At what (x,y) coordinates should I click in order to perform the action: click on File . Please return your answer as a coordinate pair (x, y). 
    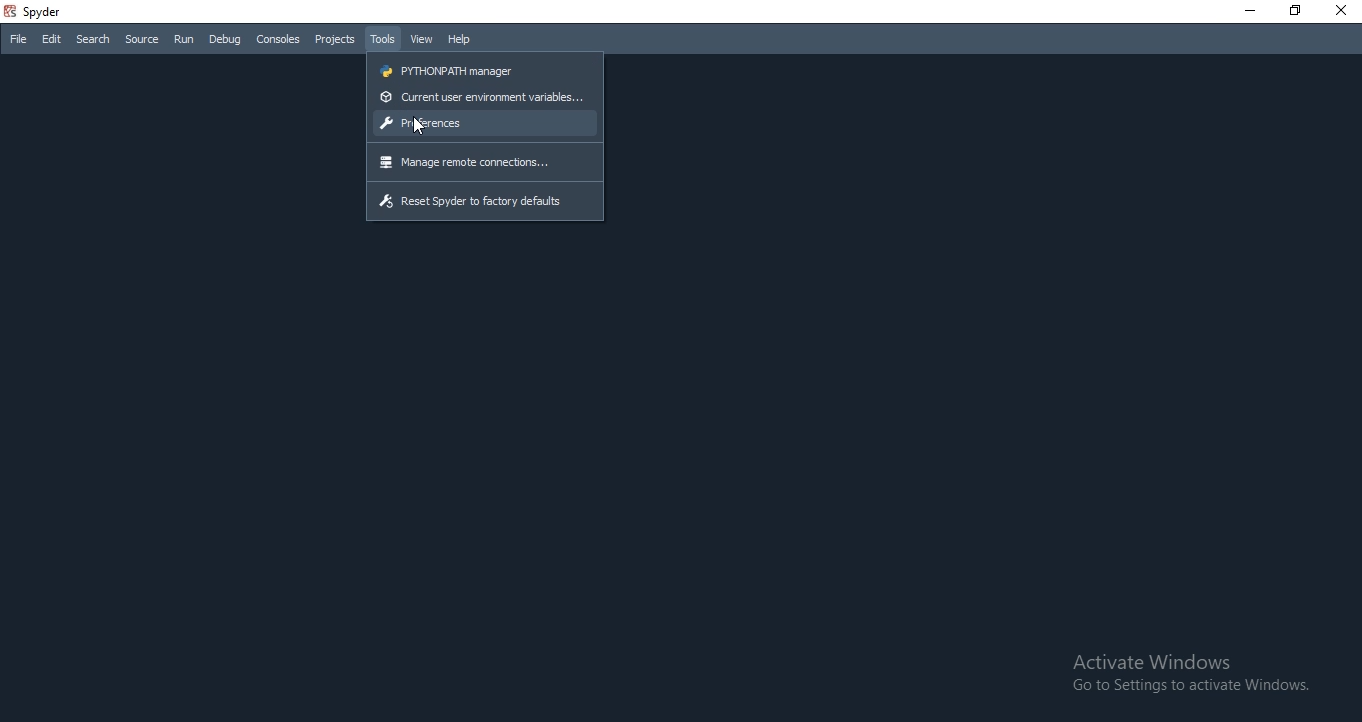
    Looking at the image, I should click on (16, 39).